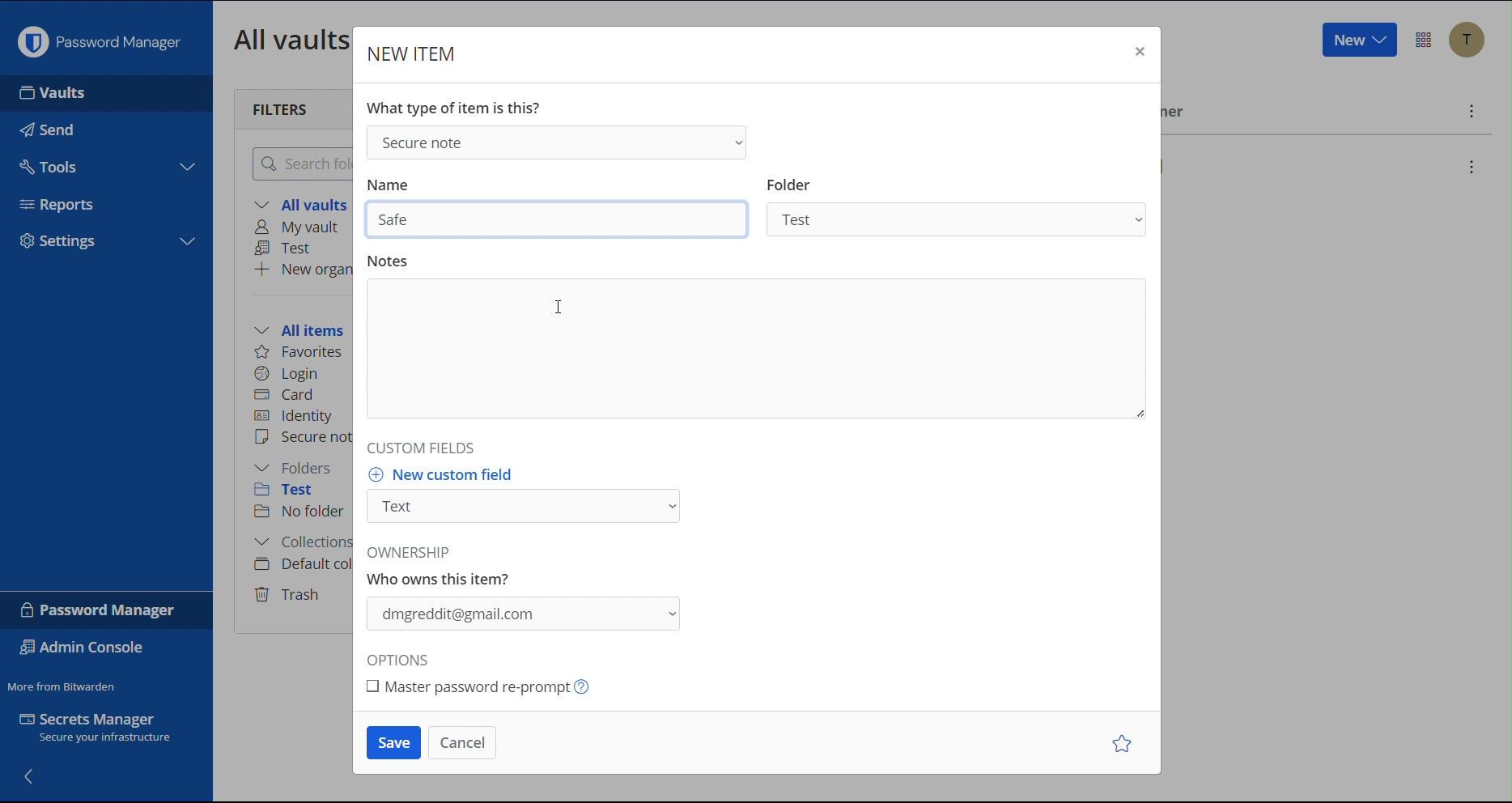 The height and width of the screenshot is (803, 1512). What do you see at coordinates (558, 219) in the screenshot?
I see `Safe` at bounding box center [558, 219].